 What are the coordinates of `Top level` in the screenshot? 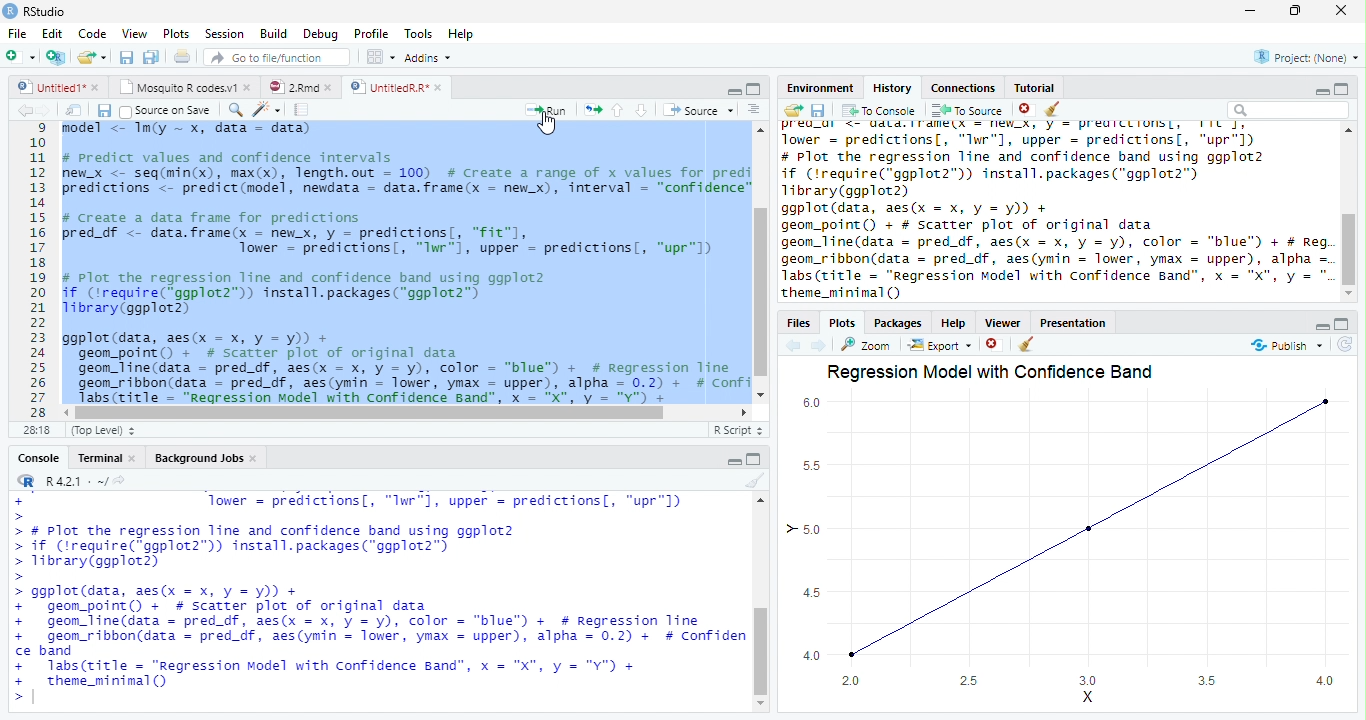 It's located at (102, 432).